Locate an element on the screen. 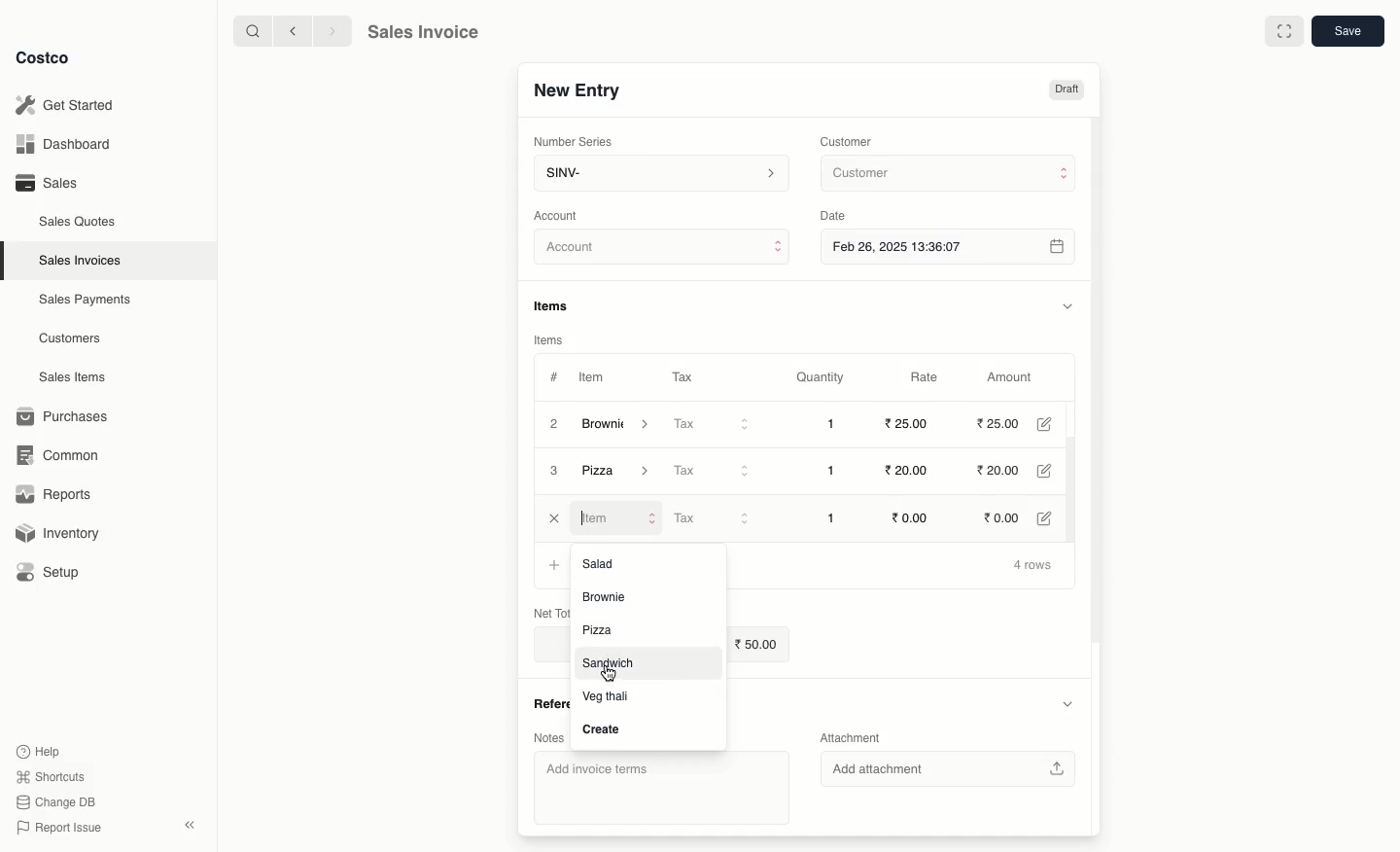 Image resolution: width=1400 pixels, height=852 pixels. SINV- is located at coordinates (660, 175).